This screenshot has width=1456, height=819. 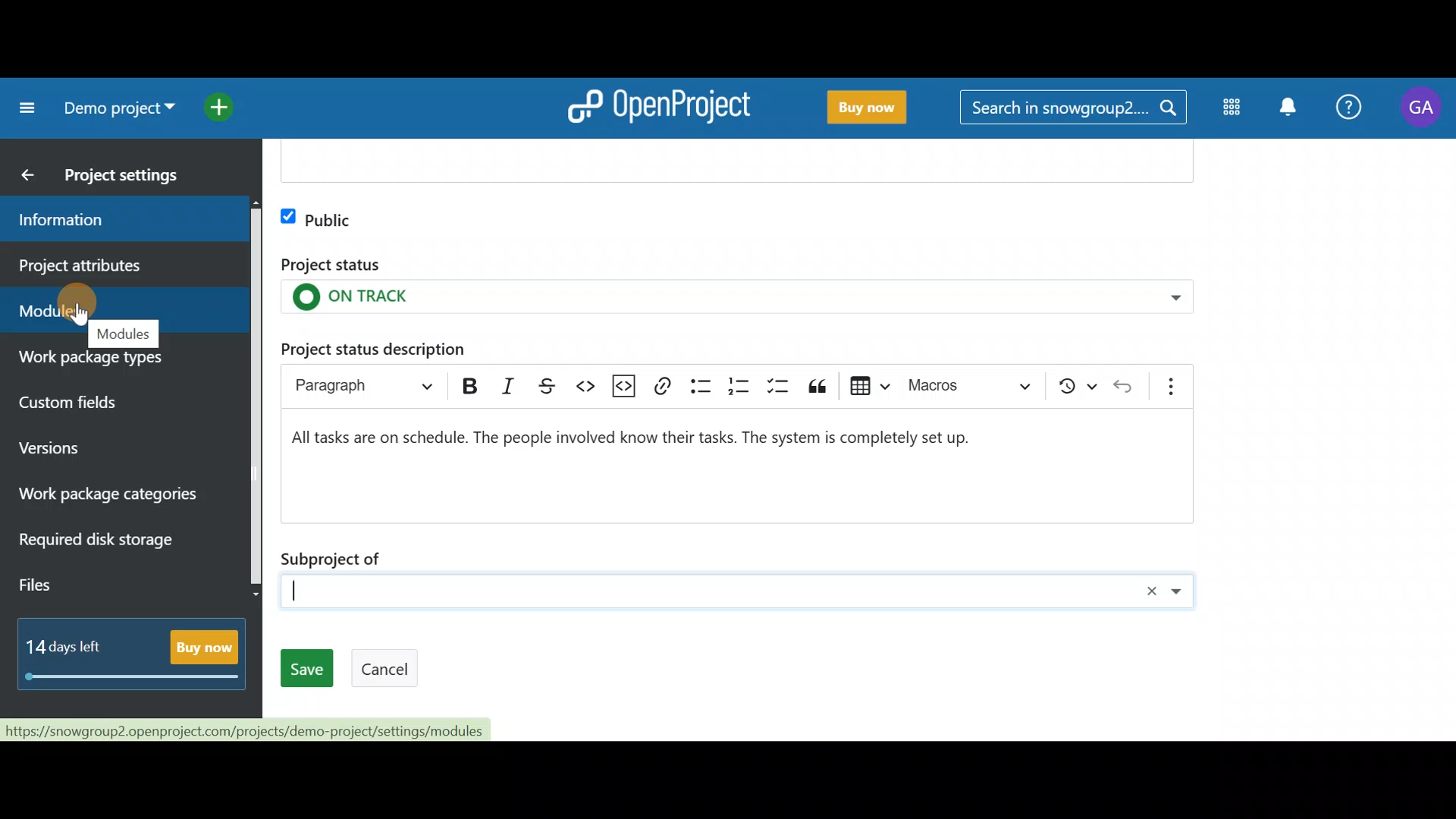 What do you see at coordinates (515, 384) in the screenshot?
I see `Italic` at bounding box center [515, 384].